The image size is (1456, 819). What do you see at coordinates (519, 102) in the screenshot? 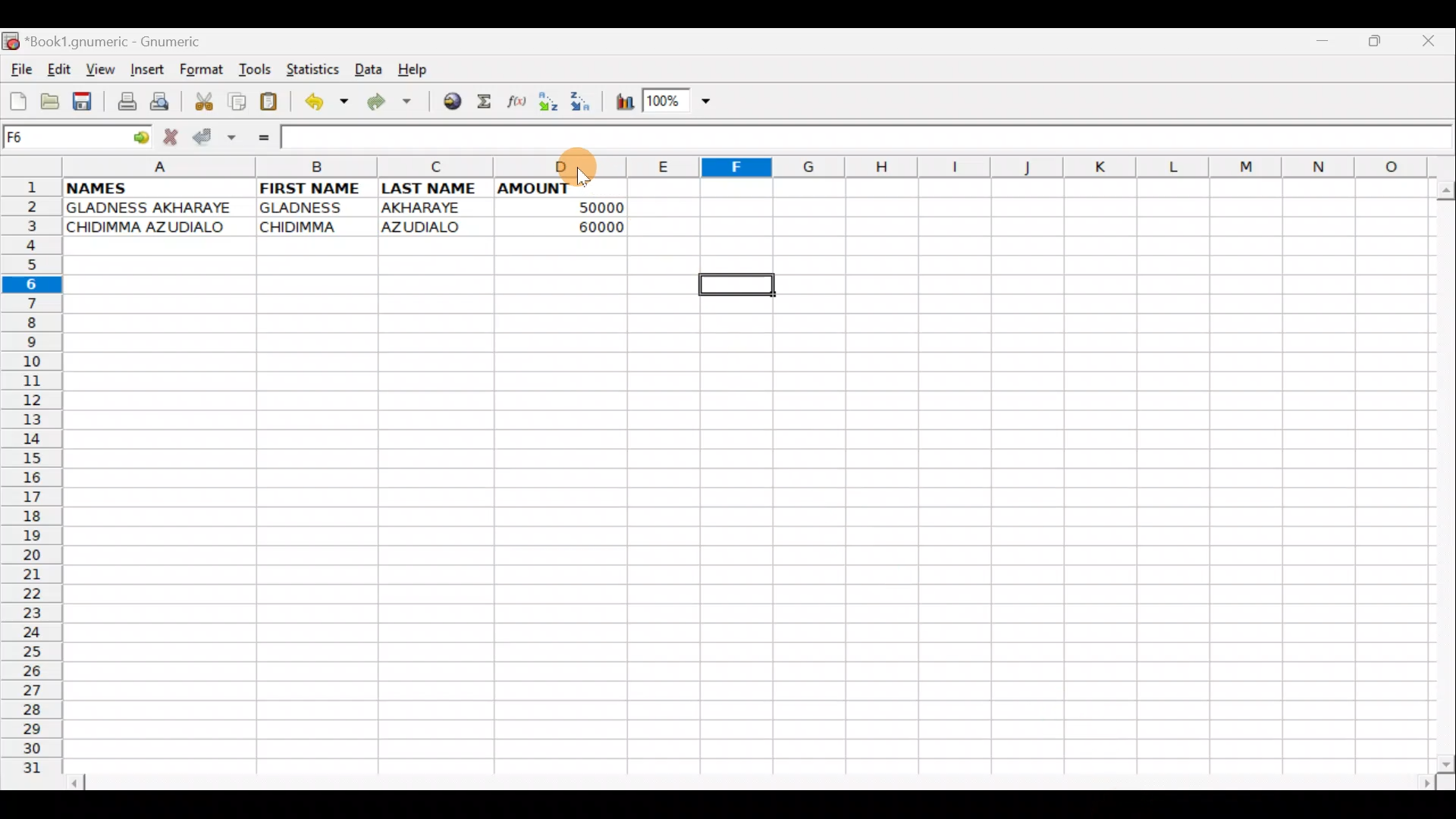
I see `Edit function in the current cell` at bounding box center [519, 102].